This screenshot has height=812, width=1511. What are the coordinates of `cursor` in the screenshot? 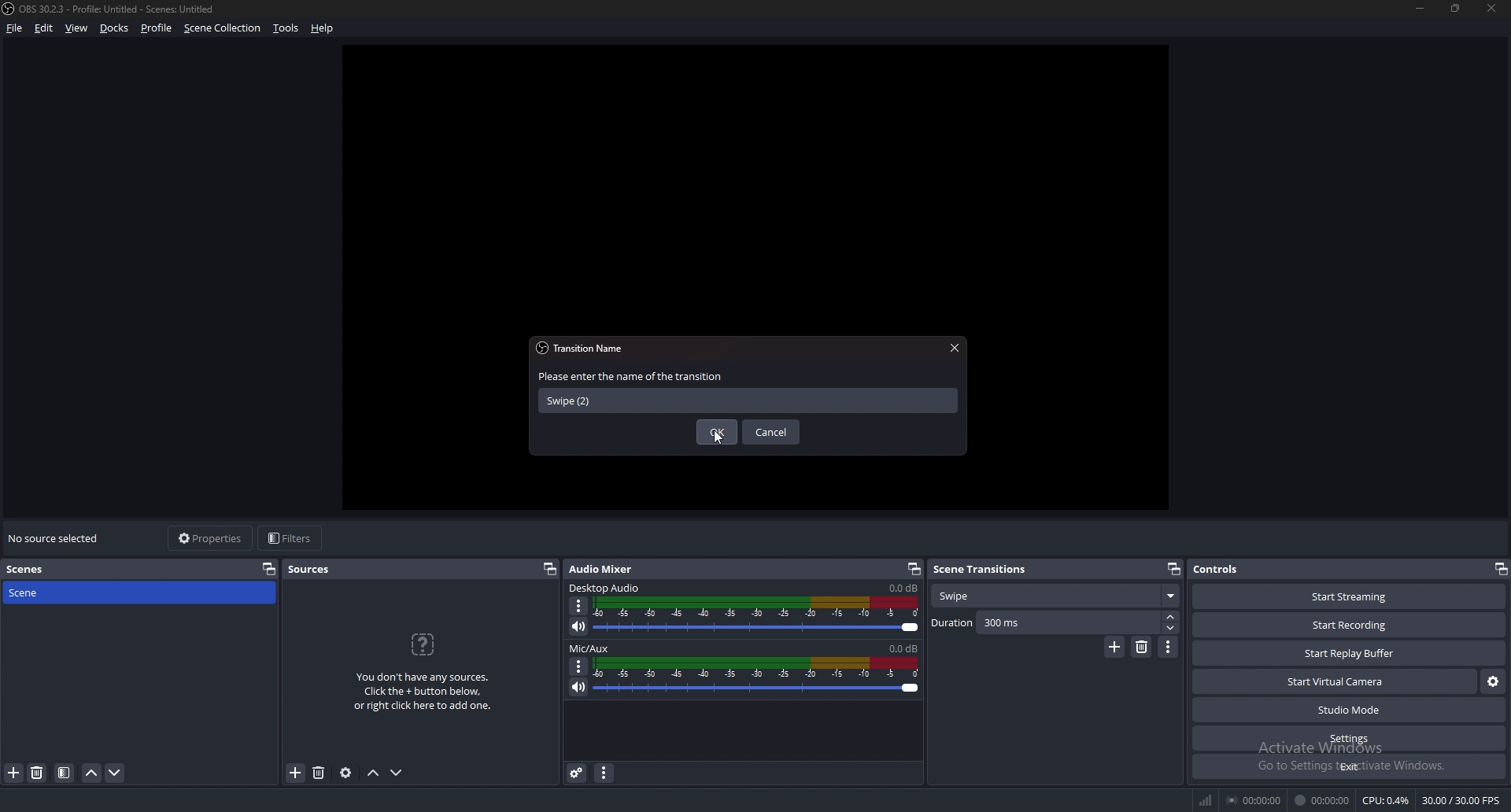 It's located at (715, 437).